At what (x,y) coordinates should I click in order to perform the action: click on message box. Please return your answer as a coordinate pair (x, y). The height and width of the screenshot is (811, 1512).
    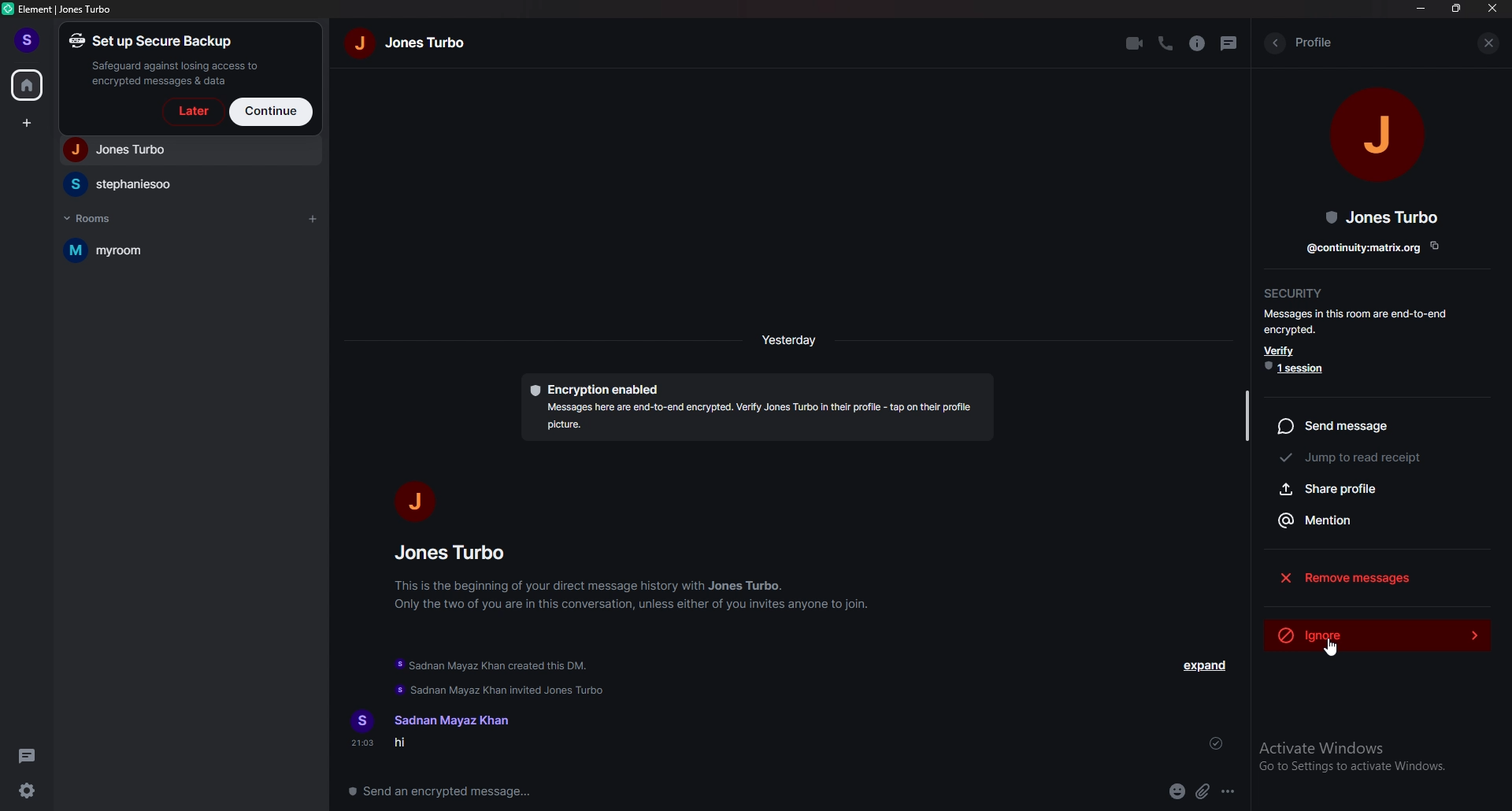
    Looking at the image, I should click on (450, 790).